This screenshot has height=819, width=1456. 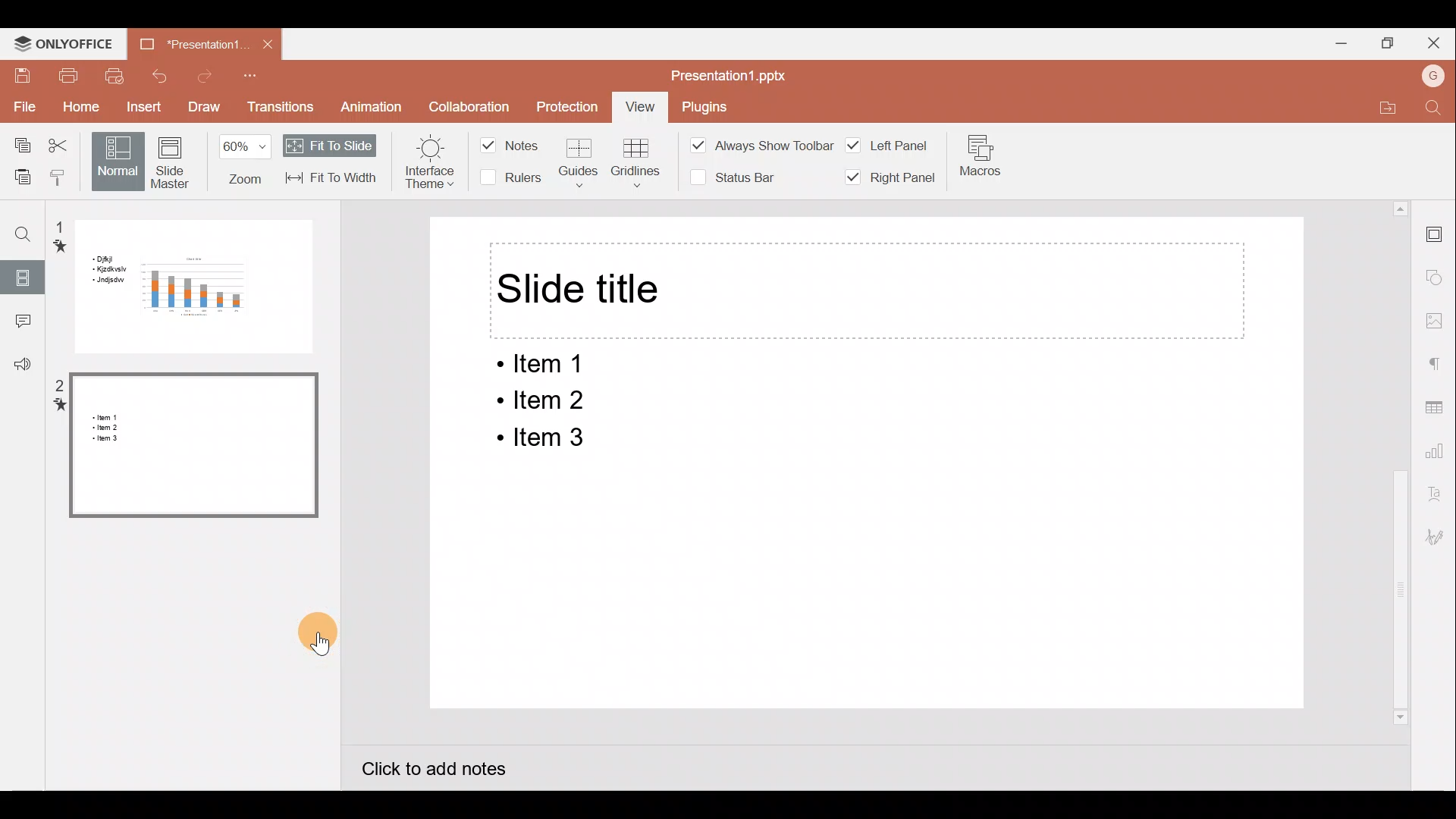 What do you see at coordinates (60, 144) in the screenshot?
I see `Cut` at bounding box center [60, 144].